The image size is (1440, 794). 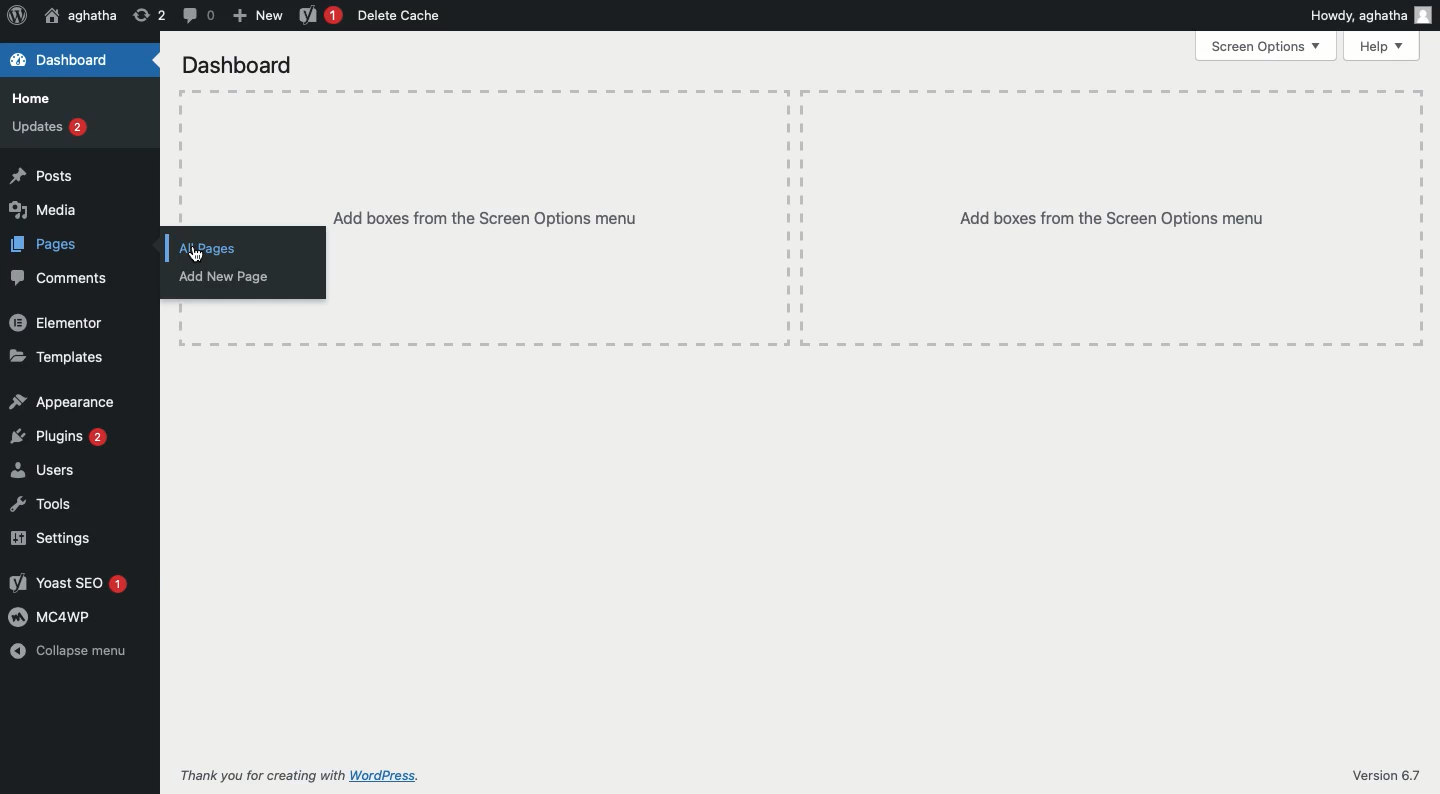 What do you see at coordinates (64, 615) in the screenshot?
I see `MC4WP` at bounding box center [64, 615].